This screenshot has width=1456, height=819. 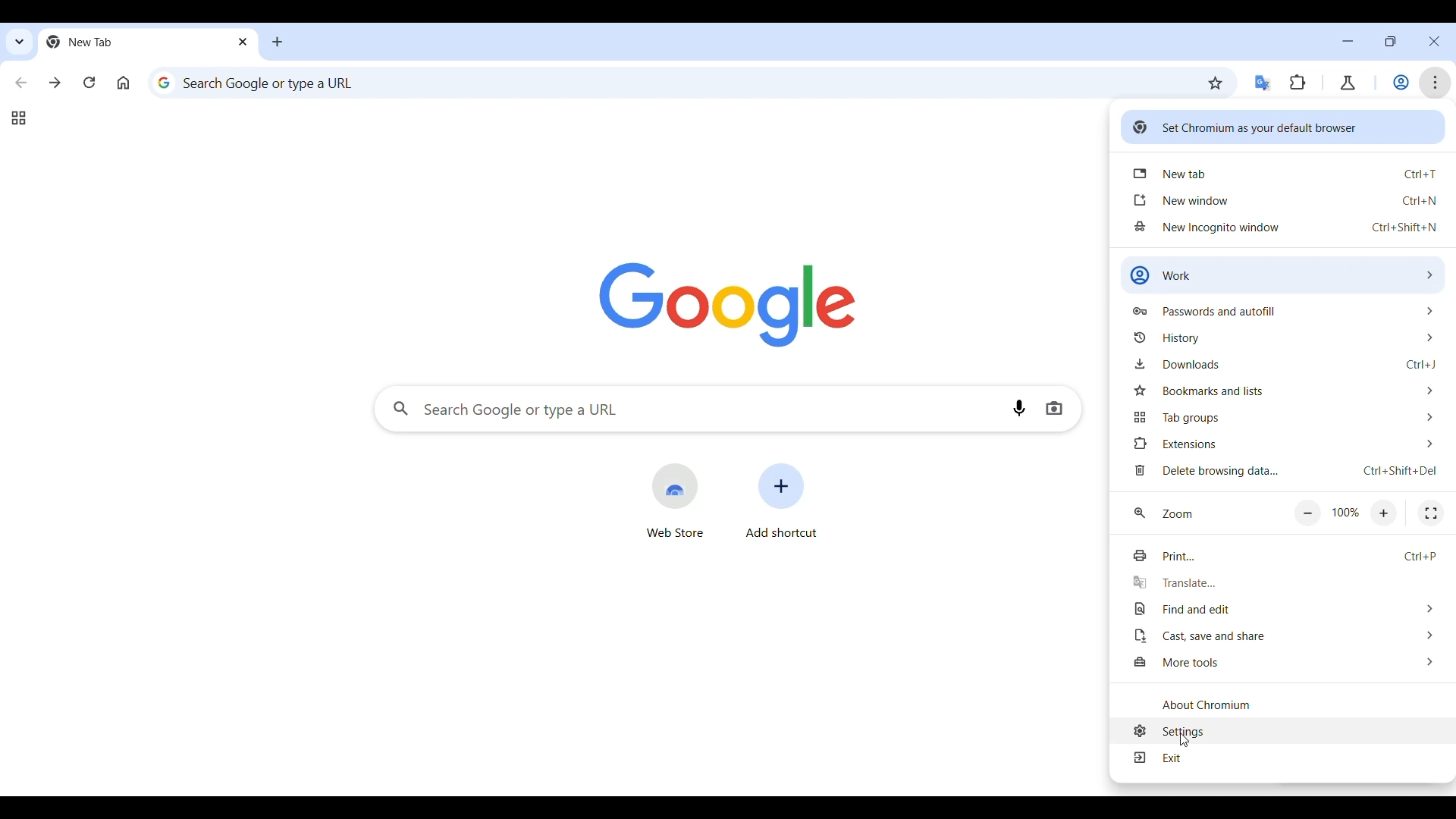 I want to click on Zoom in, so click(x=1383, y=513).